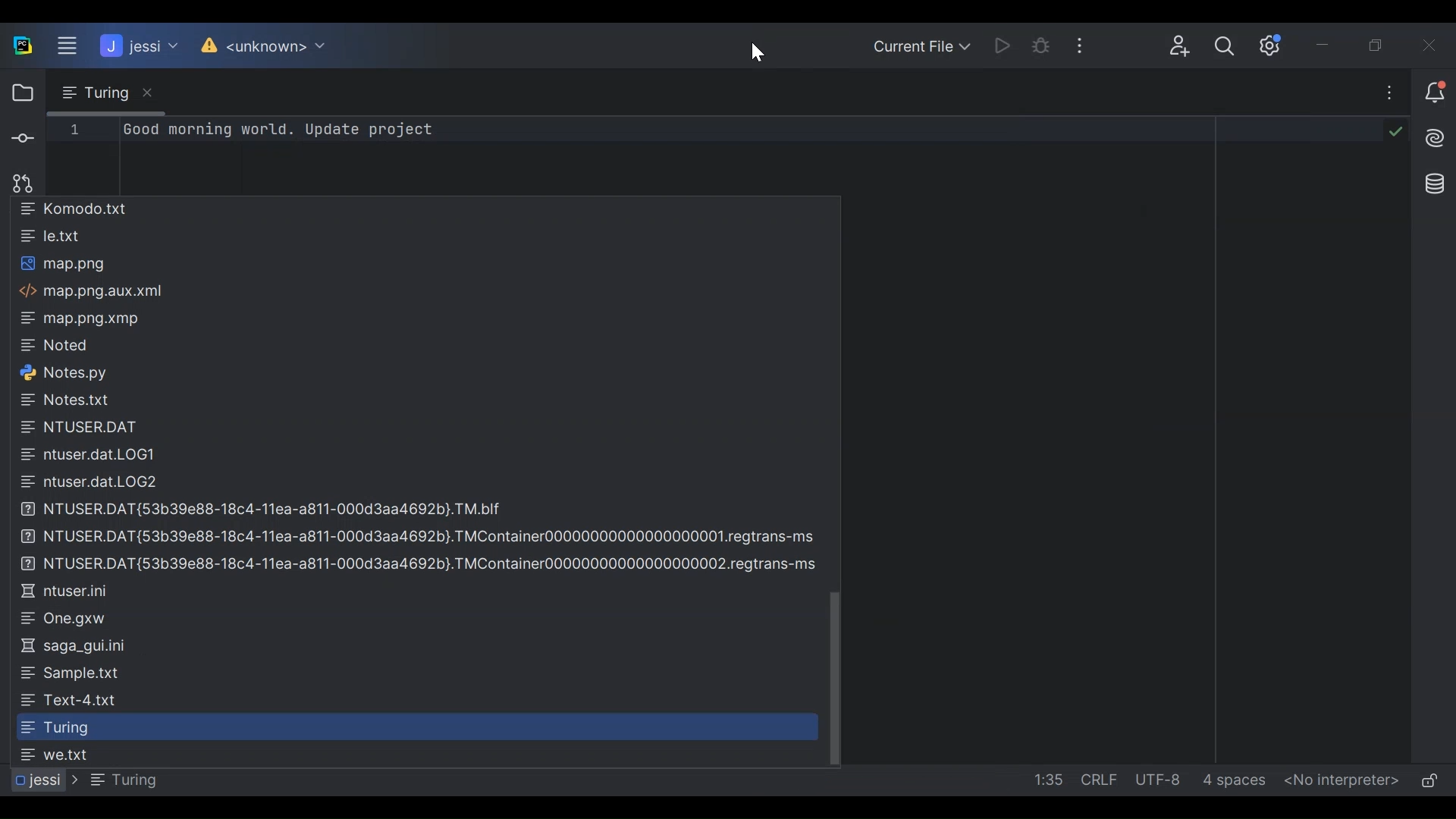 The height and width of the screenshot is (819, 1456). I want to click on Jessi, so click(137, 45).